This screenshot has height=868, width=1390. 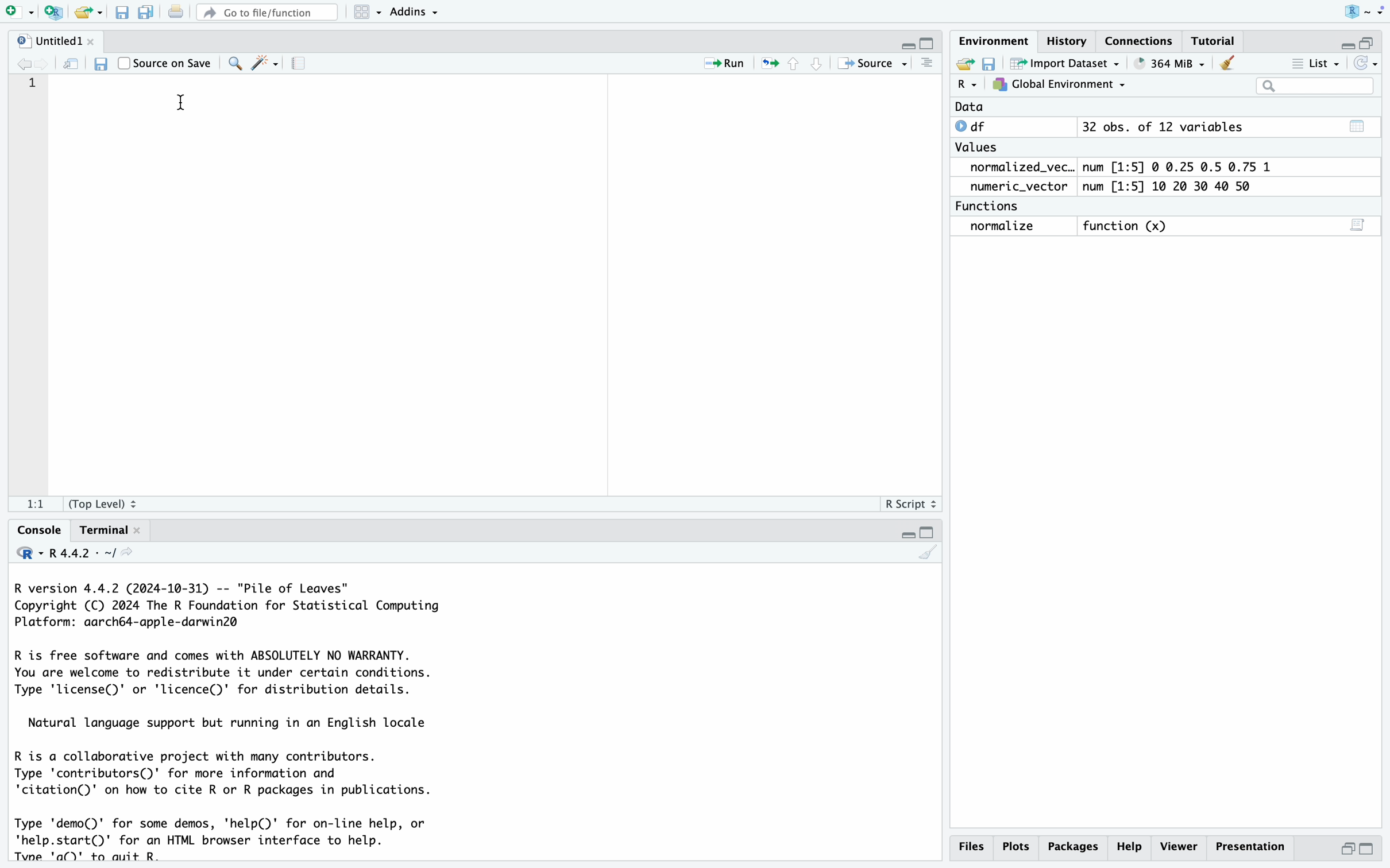 What do you see at coordinates (55, 41) in the screenshot?
I see `Untitled` at bounding box center [55, 41].